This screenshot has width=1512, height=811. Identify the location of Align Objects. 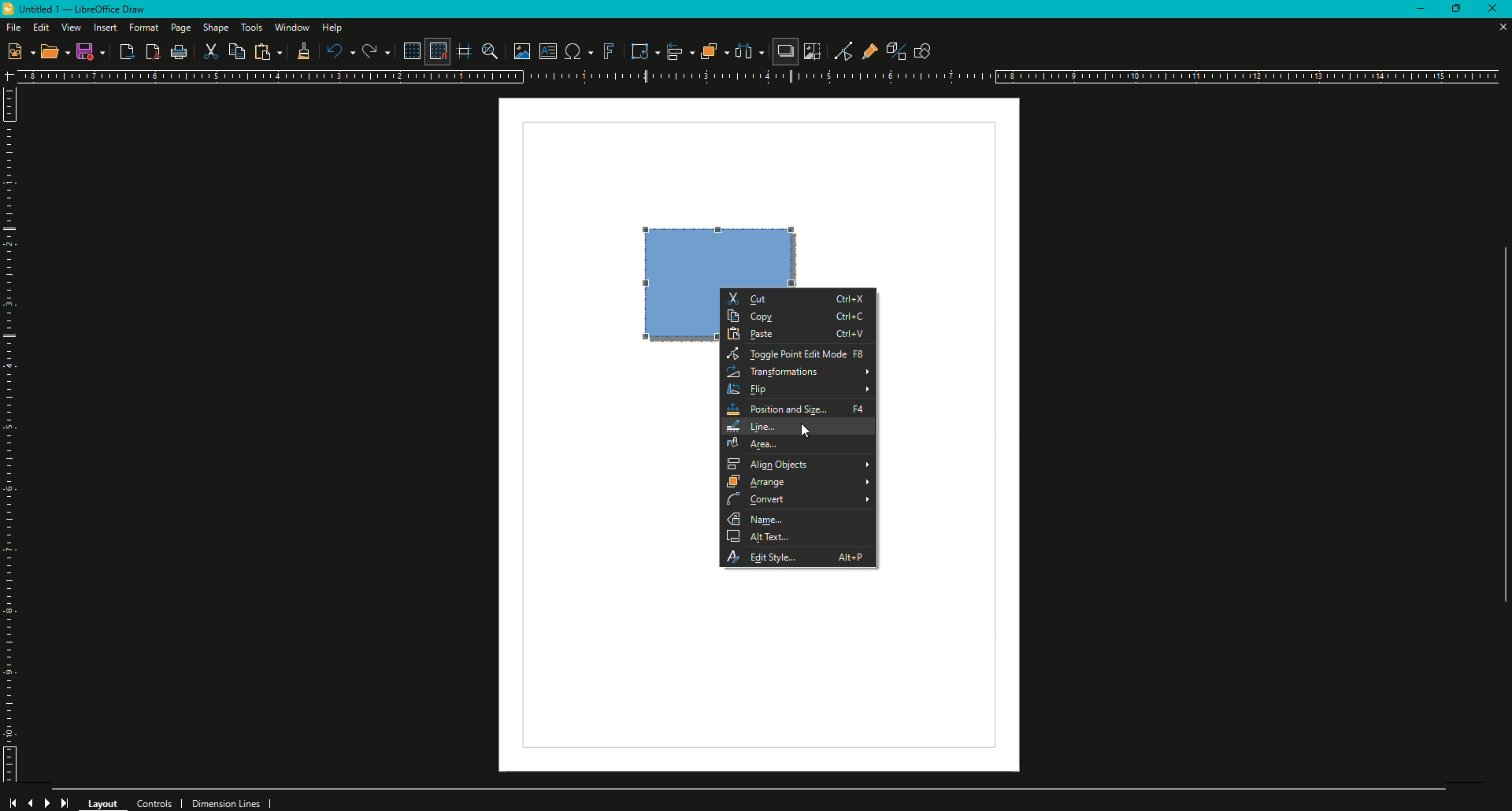
(798, 465).